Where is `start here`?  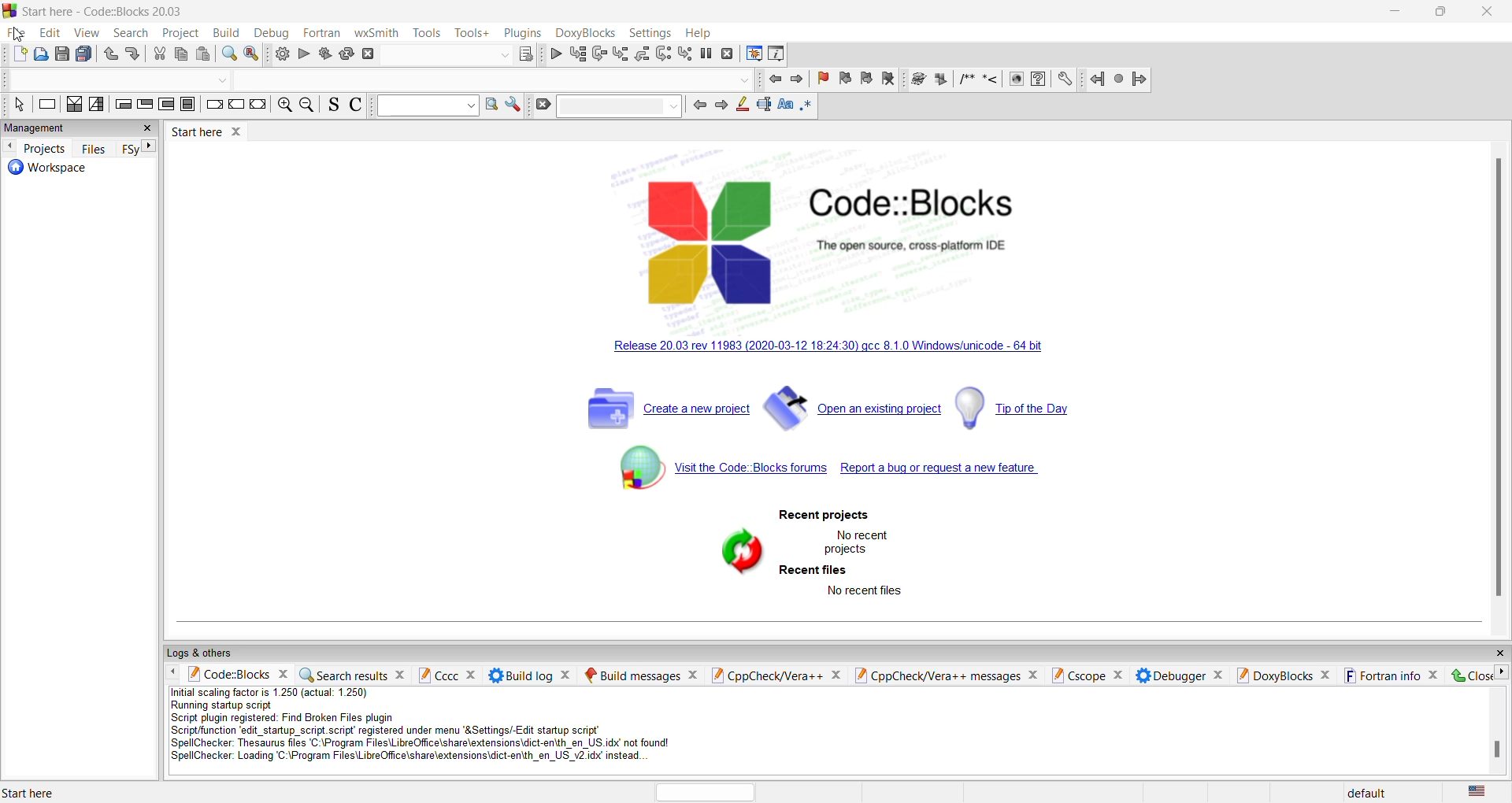 start here is located at coordinates (31, 792).